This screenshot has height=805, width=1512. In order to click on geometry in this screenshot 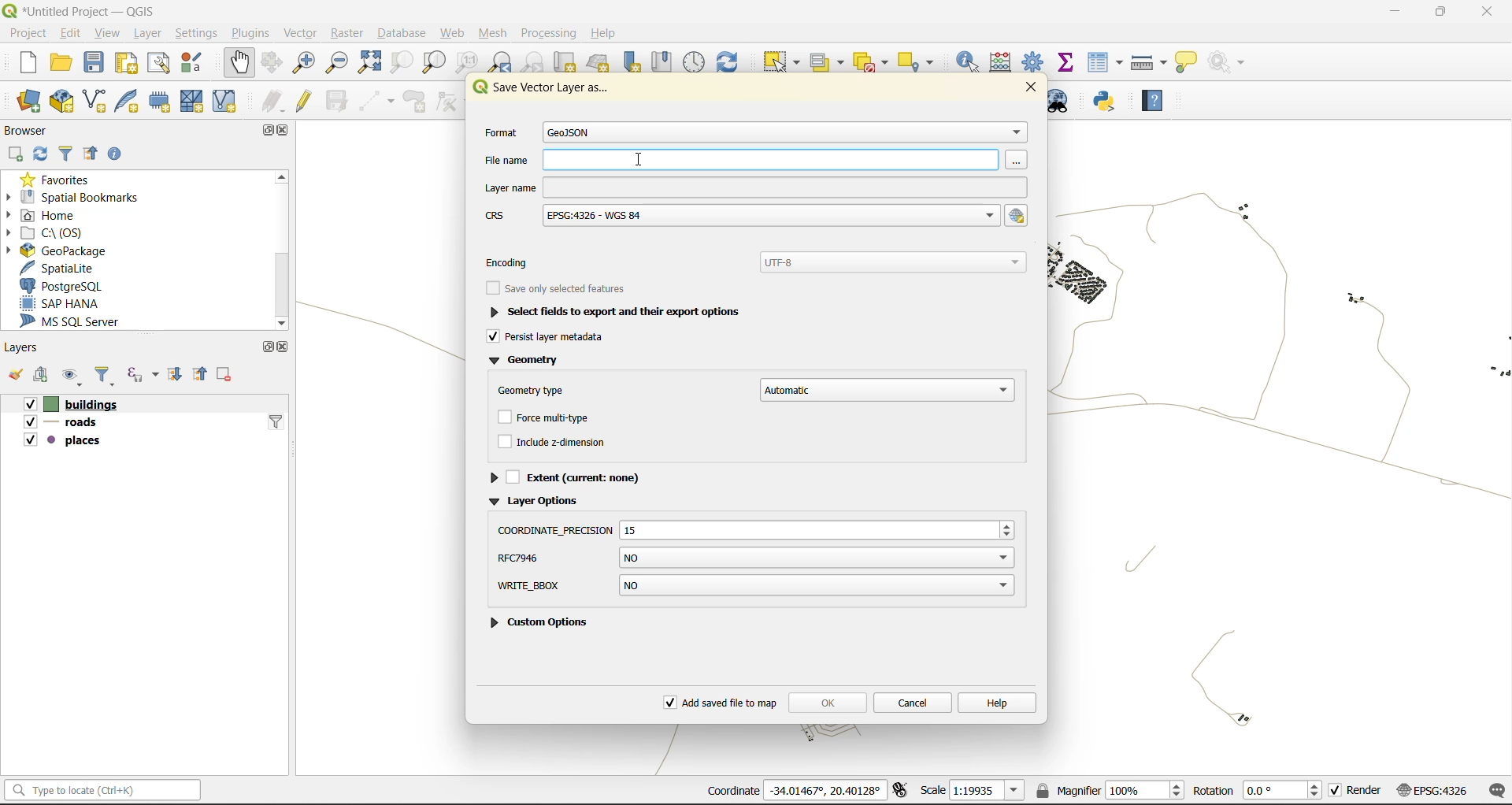, I will do `click(525, 362)`.